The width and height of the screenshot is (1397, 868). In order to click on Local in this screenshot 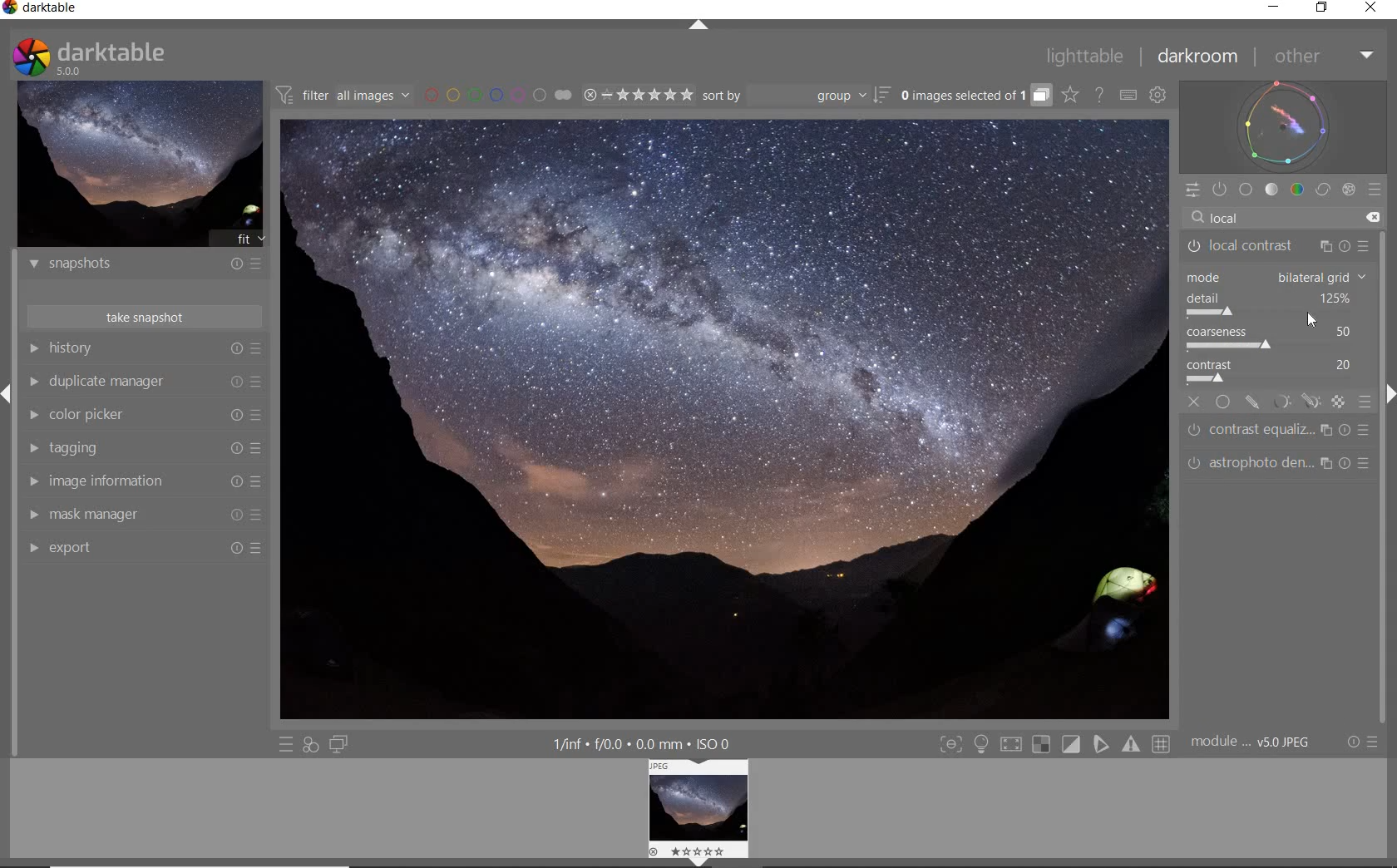, I will do `click(1273, 215)`.